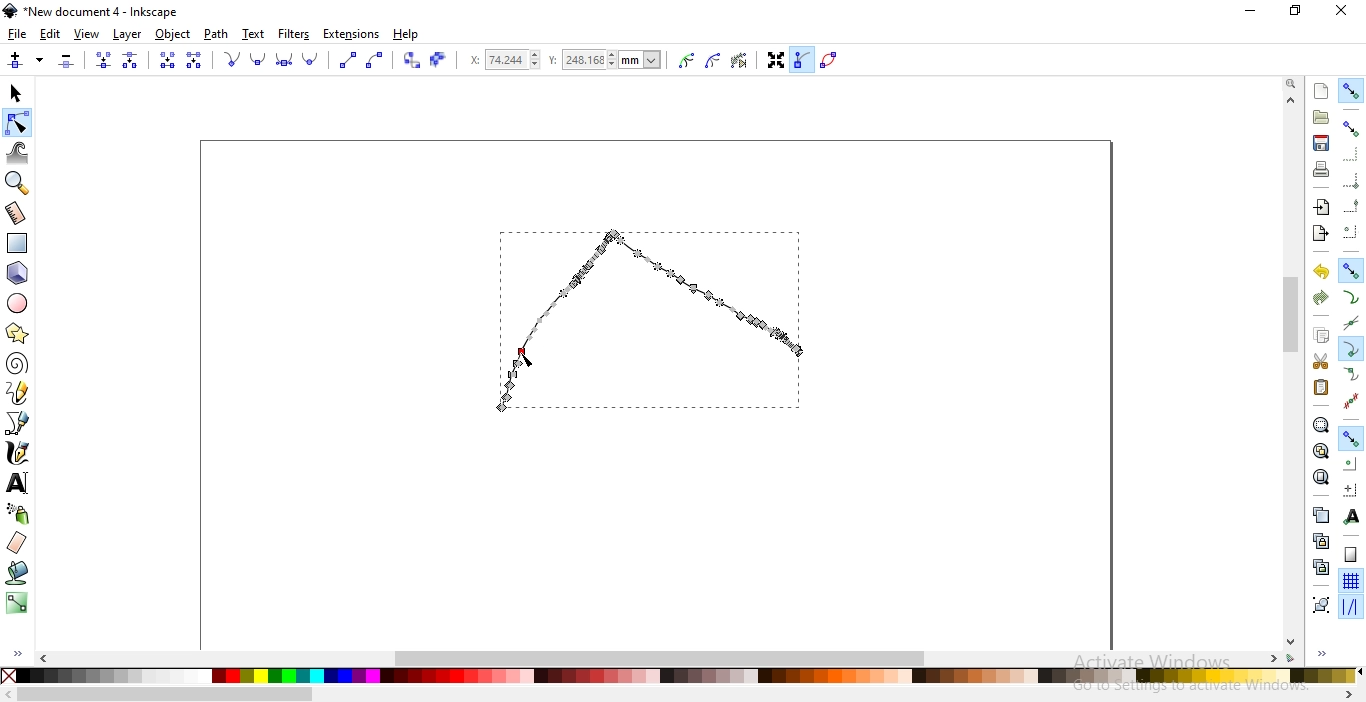 Image resolution: width=1366 pixels, height=702 pixels. I want to click on text, so click(254, 33).